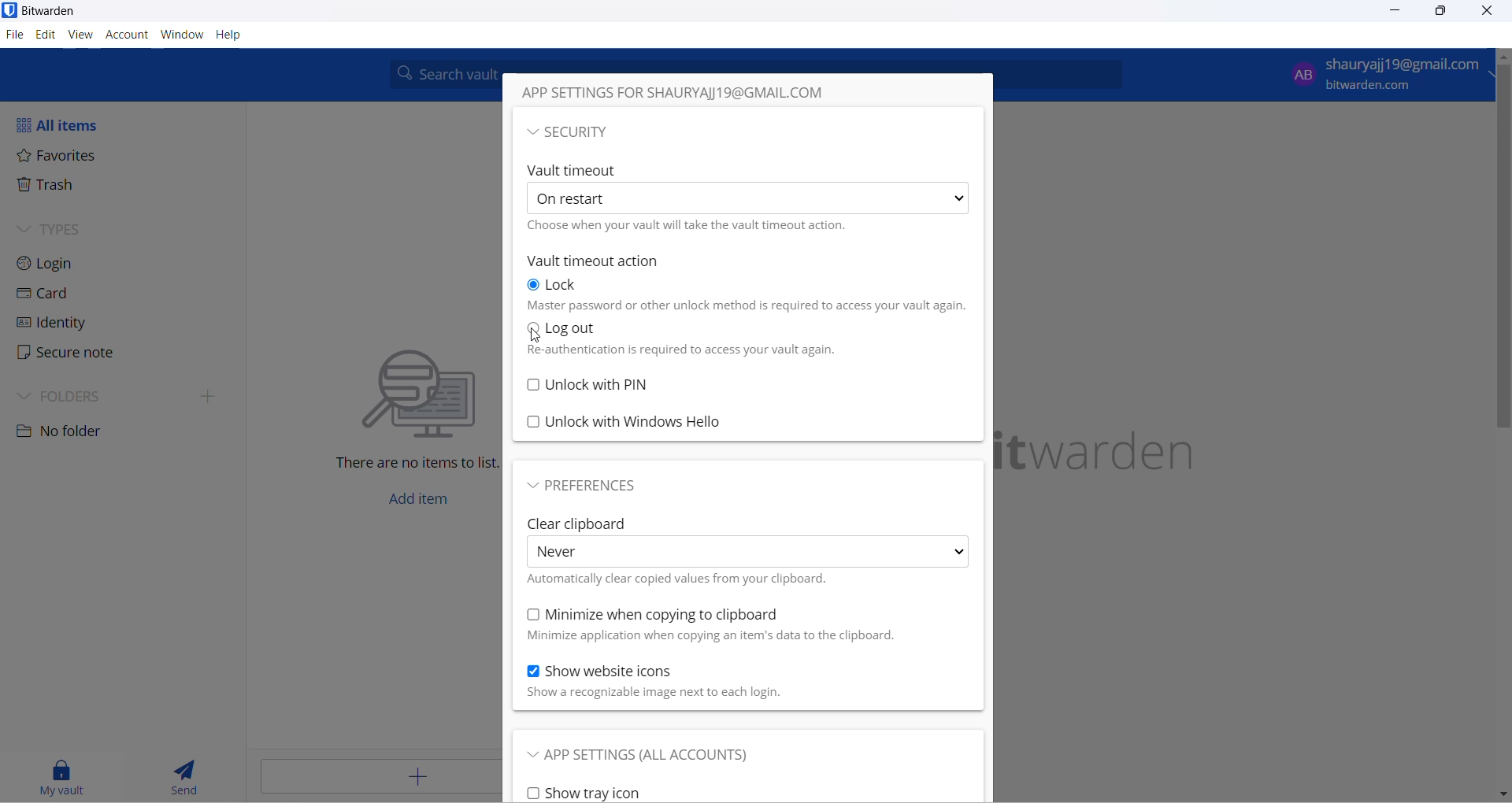 The height and width of the screenshot is (803, 1512). I want to click on lock options, so click(560, 286).